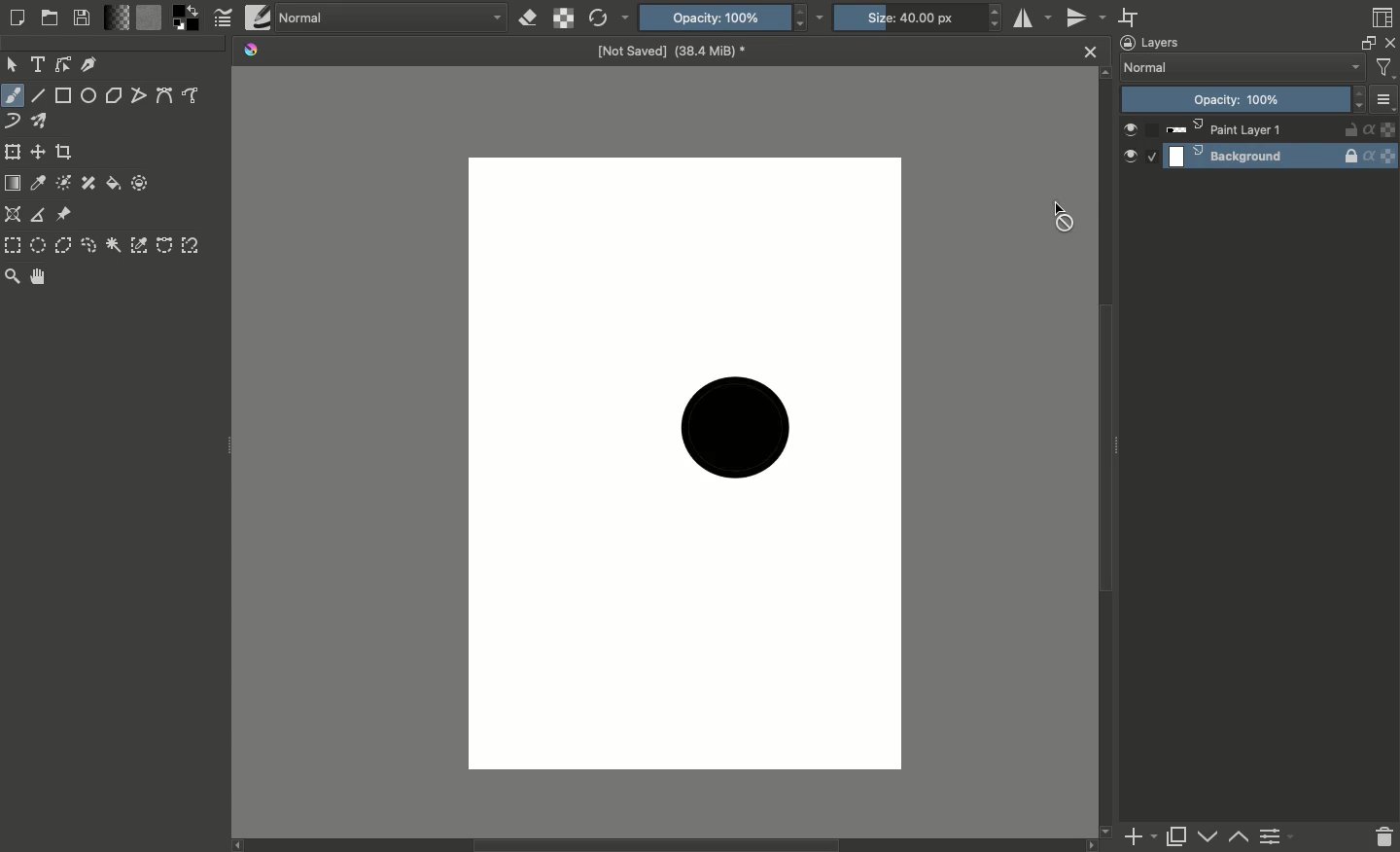  I want to click on Add layer, so click(1144, 837).